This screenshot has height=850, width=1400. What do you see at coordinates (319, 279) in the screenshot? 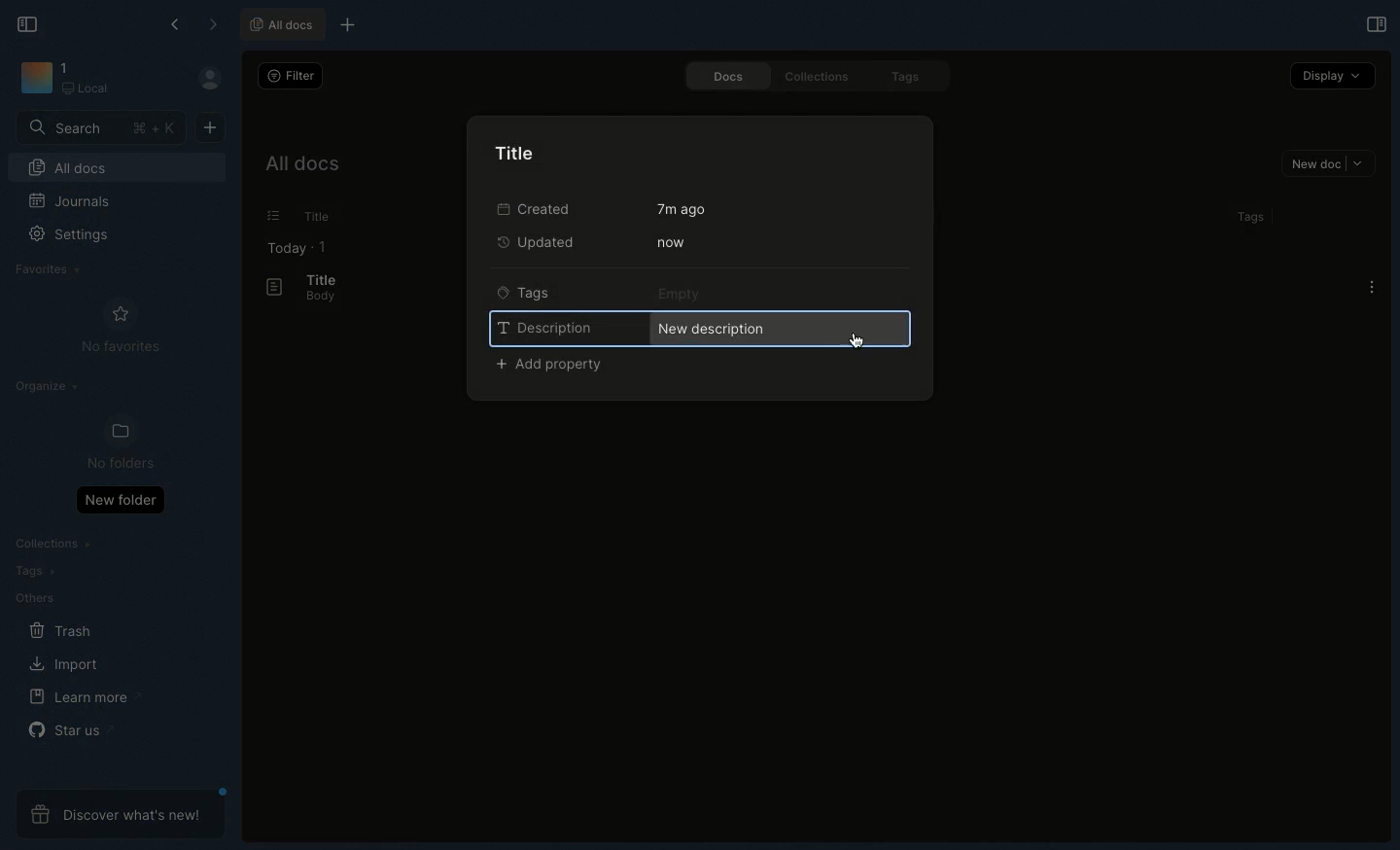
I see `Title` at bounding box center [319, 279].